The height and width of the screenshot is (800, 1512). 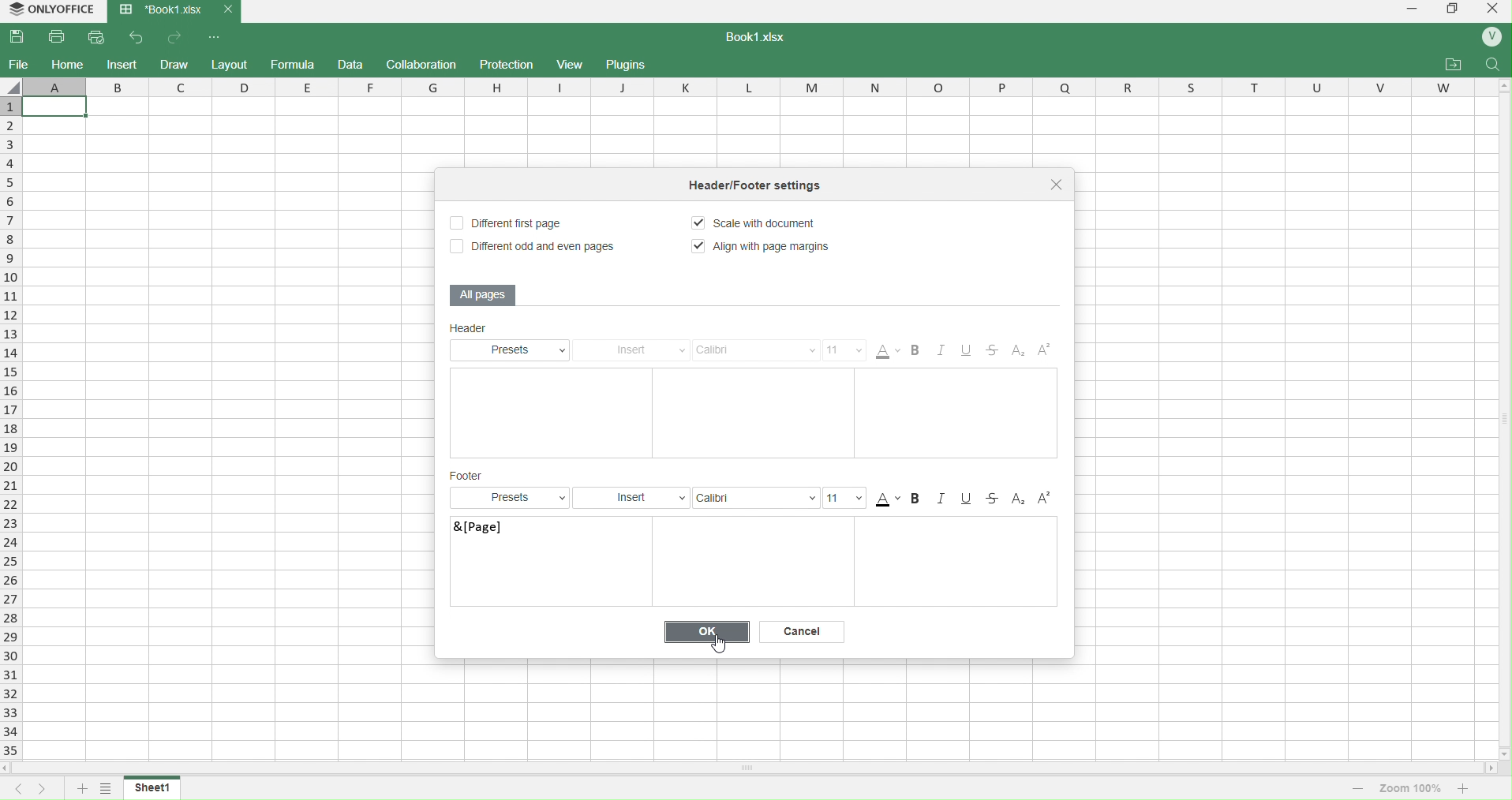 What do you see at coordinates (709, 631) in the screenshot?
I see `Ok` at bounding box center [709, 631].